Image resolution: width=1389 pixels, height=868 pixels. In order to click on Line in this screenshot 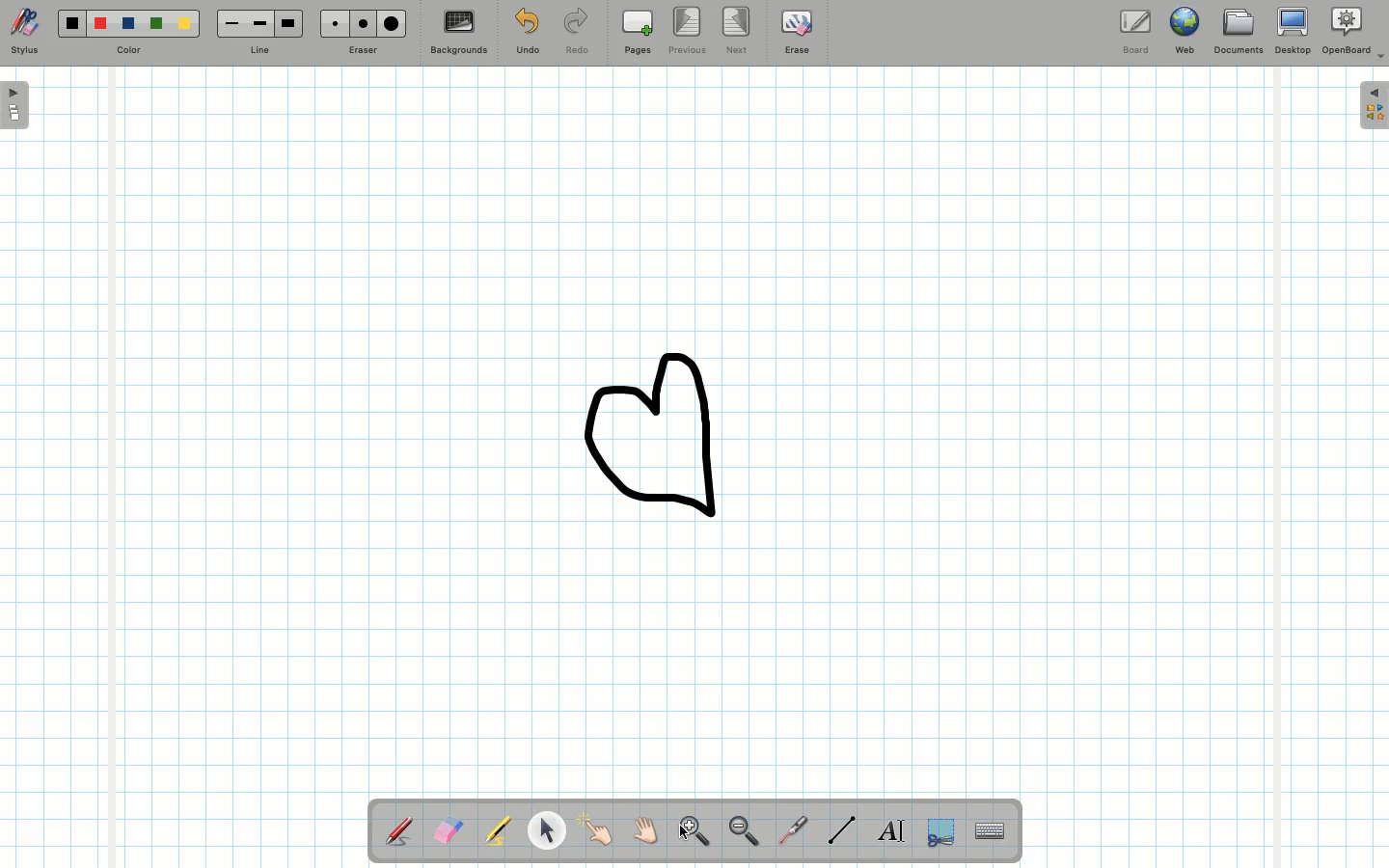, I will do `click(838, 829)`.